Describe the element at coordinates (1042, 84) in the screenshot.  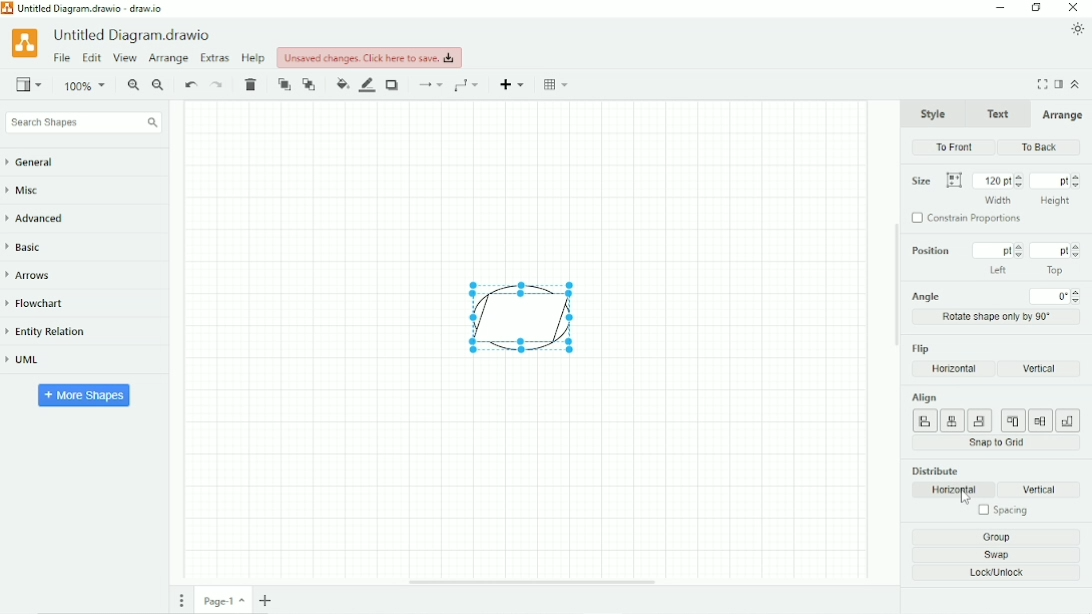
I see `Fullscreen` at that location.